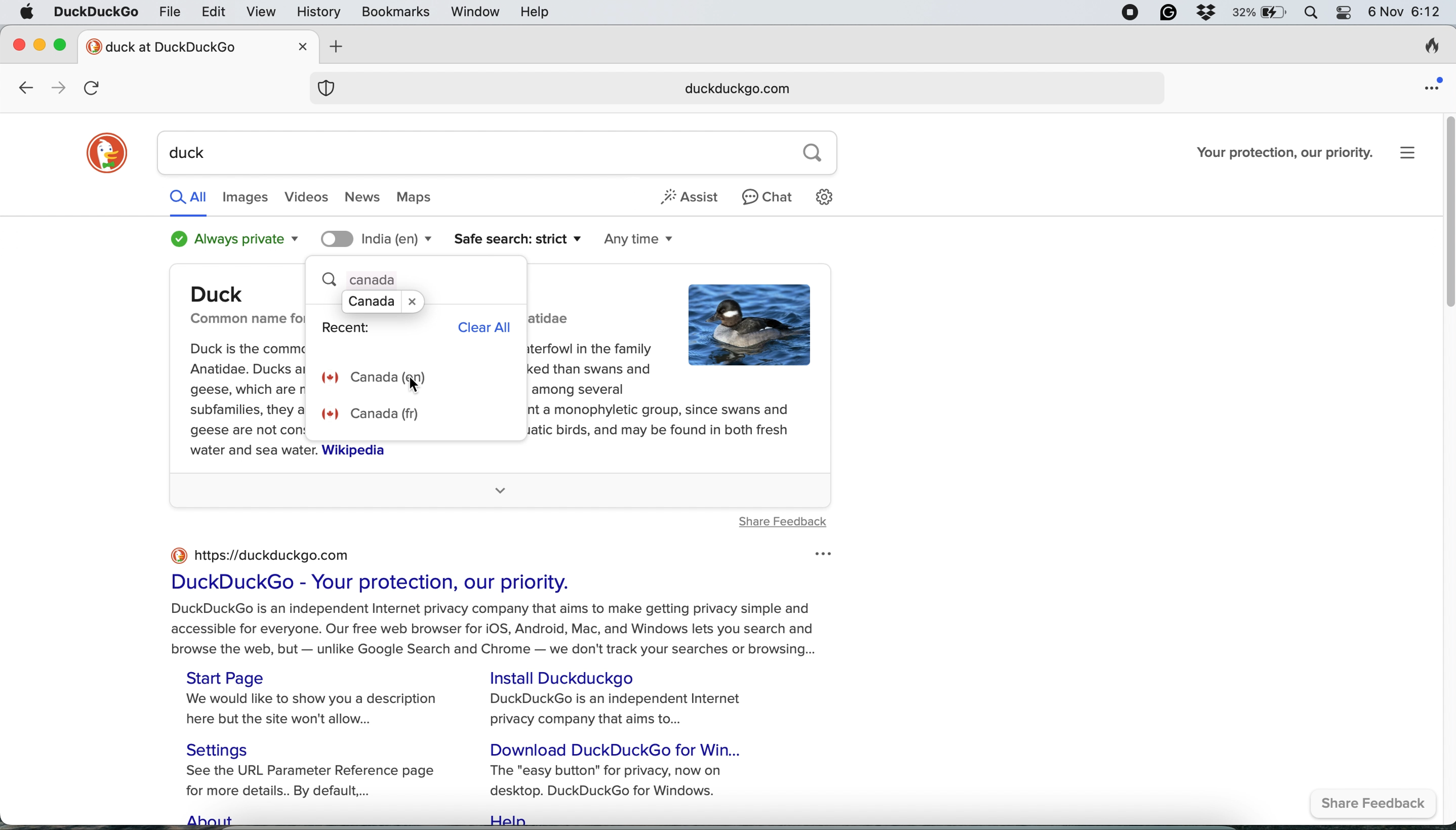  What do you see at coordinates (1260, 13) in the screenshot?
I see `battery` at bounding box center [1260, 13].